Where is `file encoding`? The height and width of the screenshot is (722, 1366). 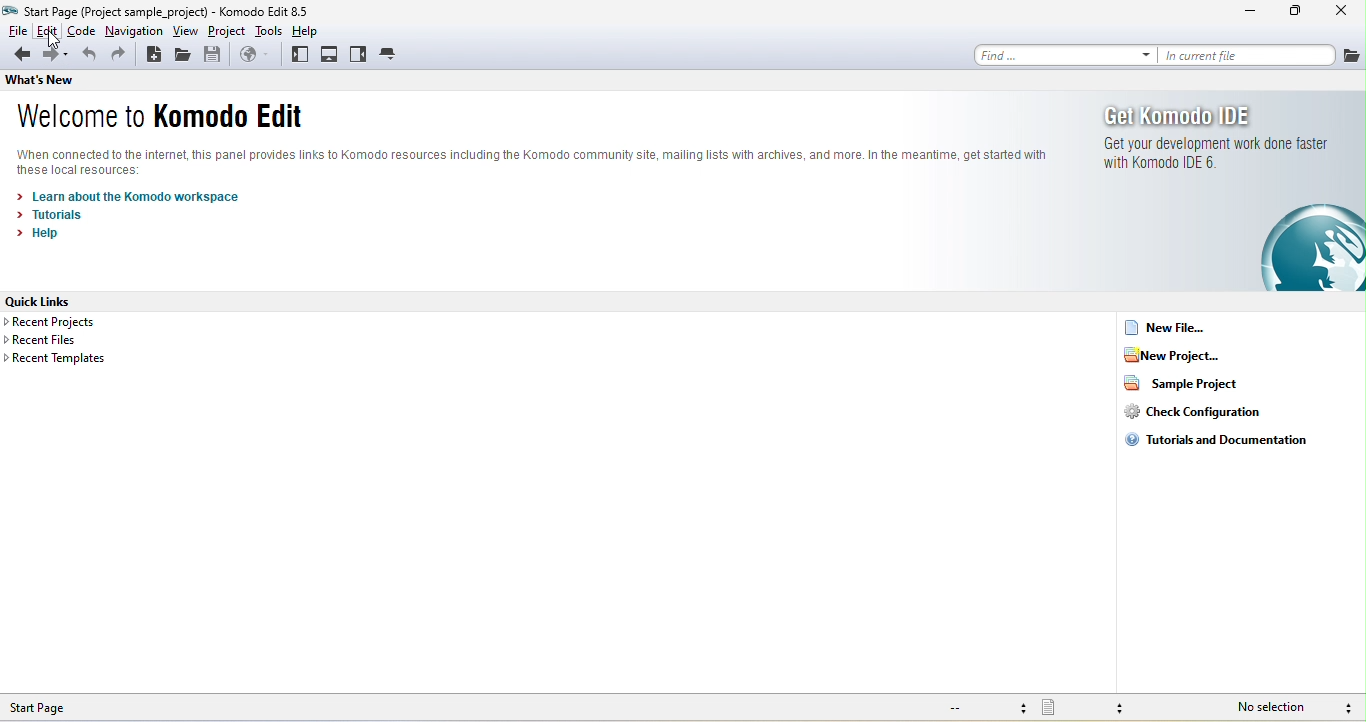 file encoding is located at coordinates (987, 708).